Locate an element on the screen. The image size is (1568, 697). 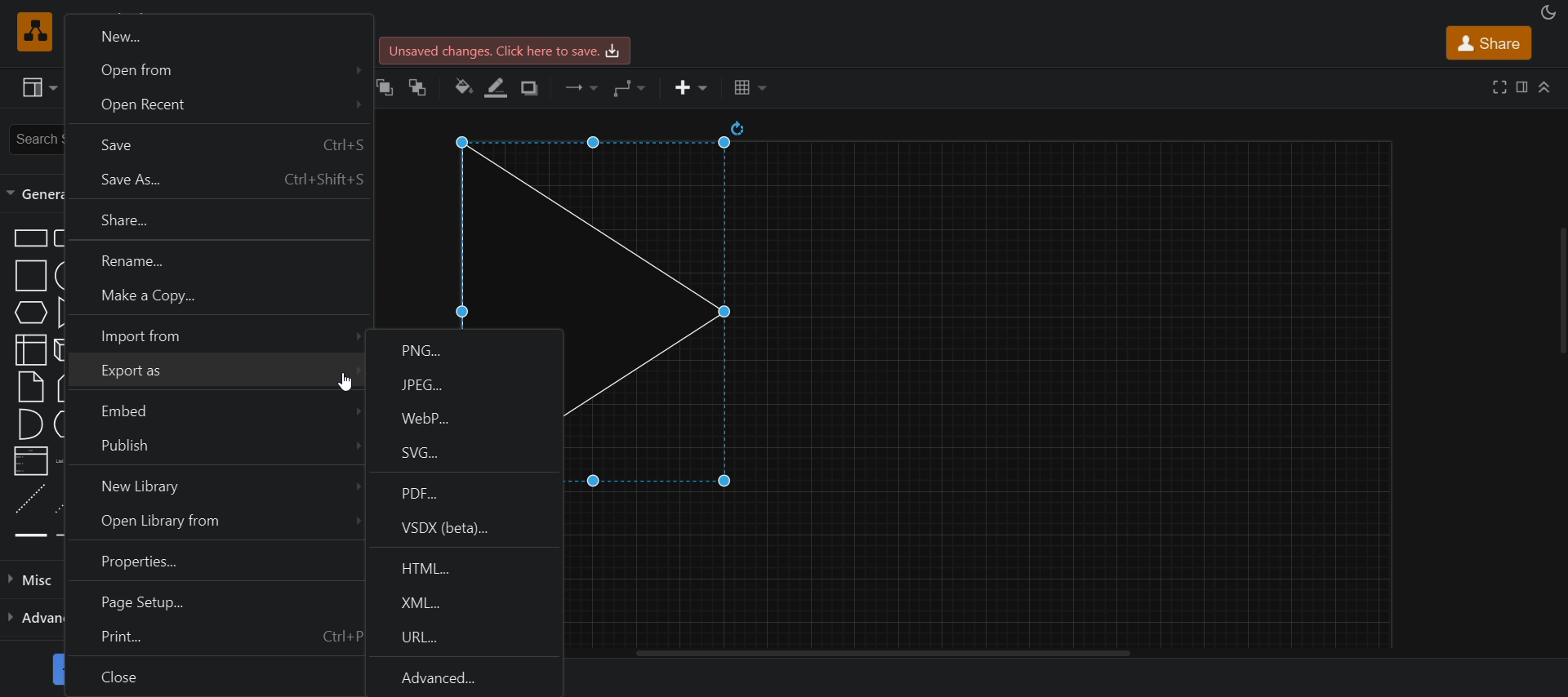
new library is located at coordinates (212, 487).